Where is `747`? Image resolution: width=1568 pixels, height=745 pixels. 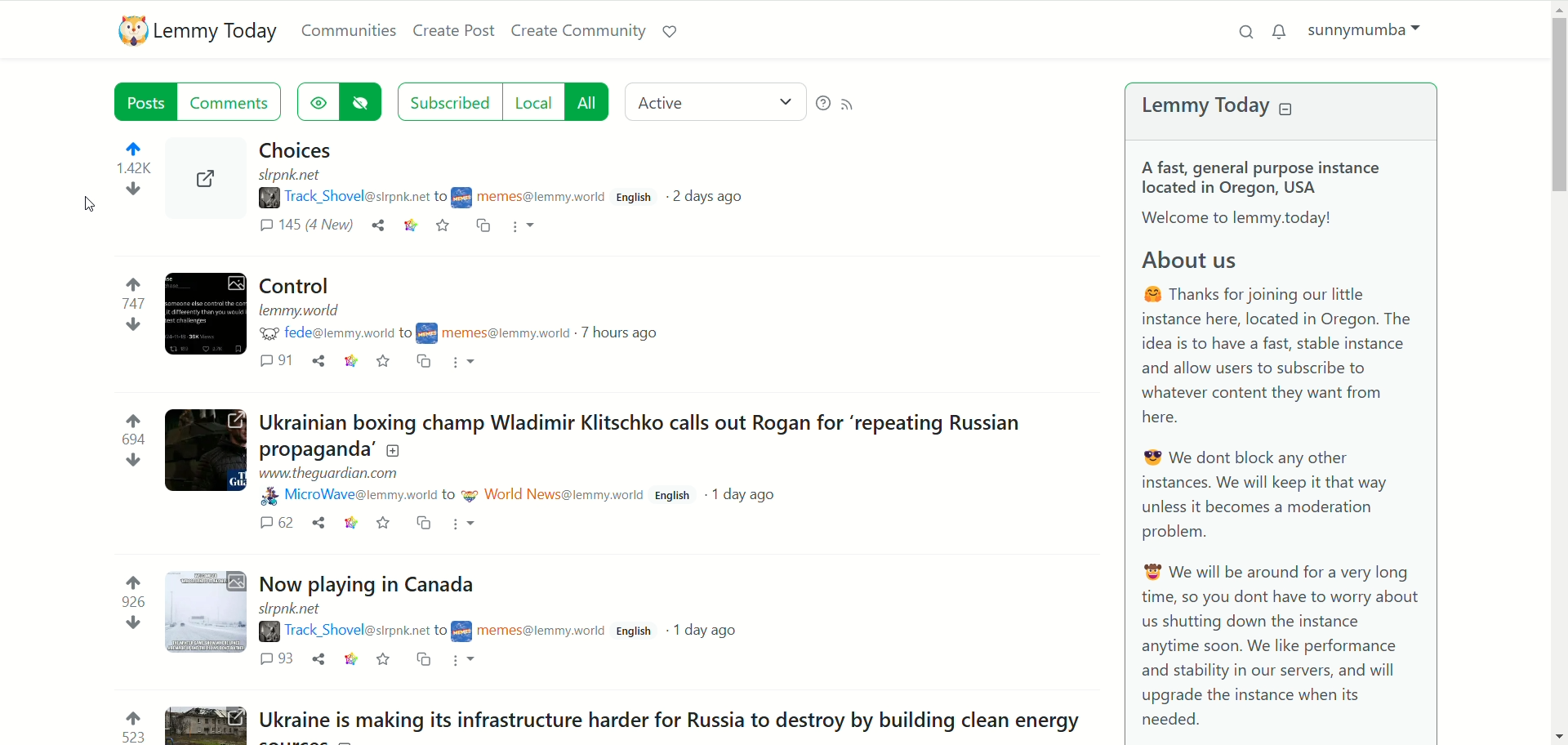
747 is located at coordinates (134, 304).